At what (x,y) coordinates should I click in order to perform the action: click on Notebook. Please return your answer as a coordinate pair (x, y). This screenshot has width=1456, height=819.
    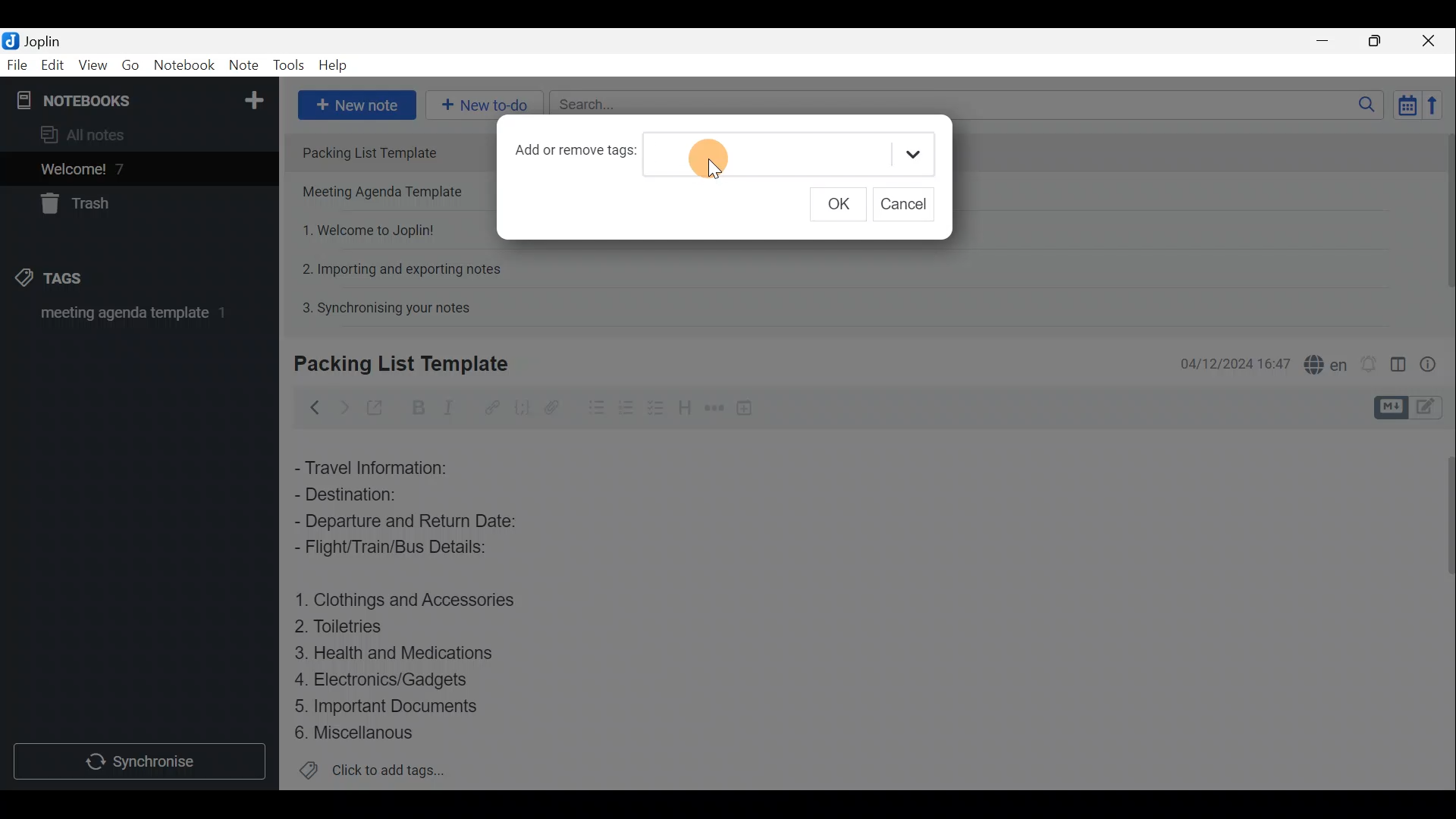
    Looking at the image, I should click on (184, 67).